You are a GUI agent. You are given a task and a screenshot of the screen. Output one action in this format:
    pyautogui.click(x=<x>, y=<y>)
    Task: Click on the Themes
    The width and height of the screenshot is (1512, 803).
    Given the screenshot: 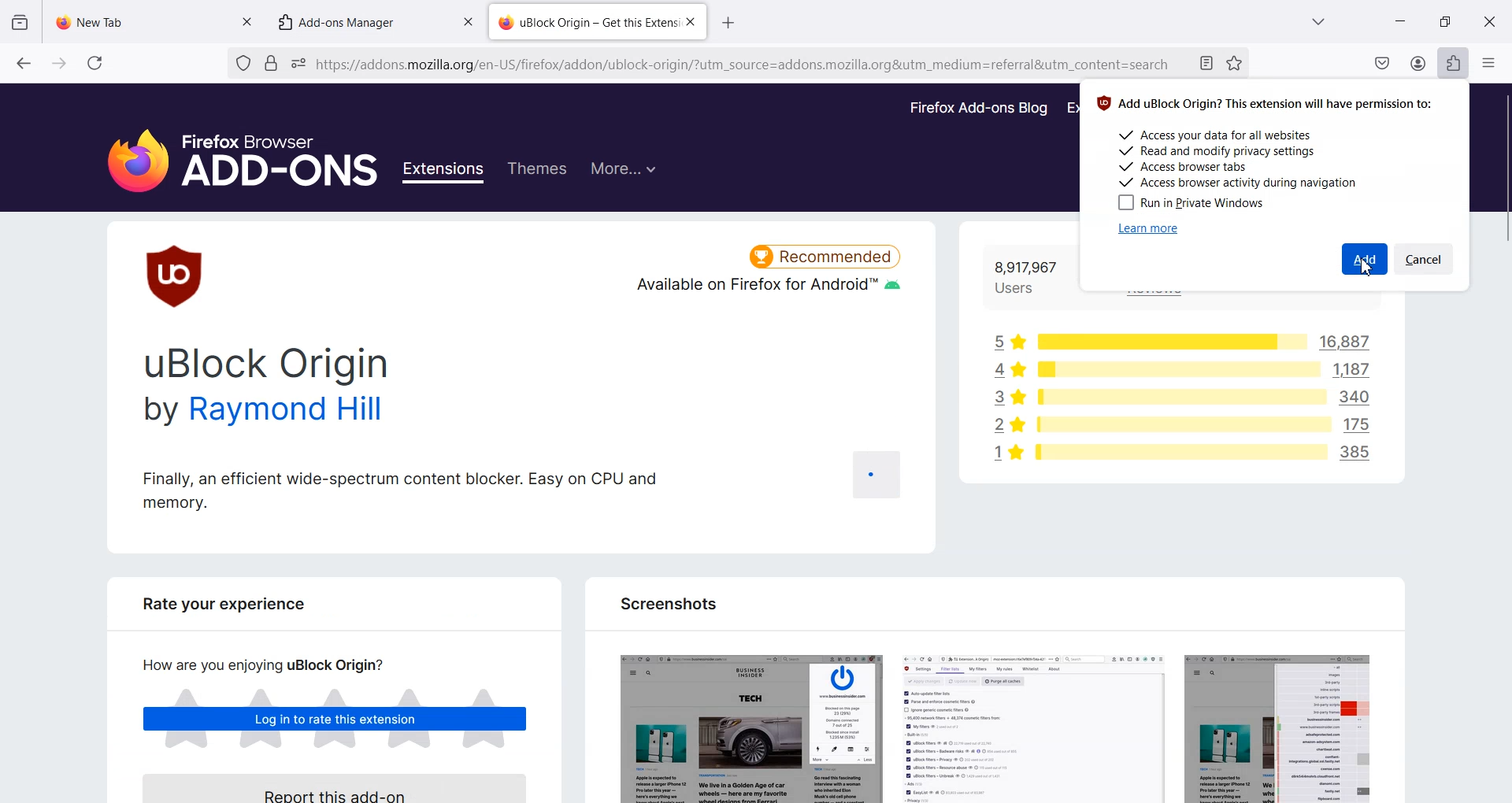 What is the action you would take?
    pyautogui.click(x=536, y=169)
    